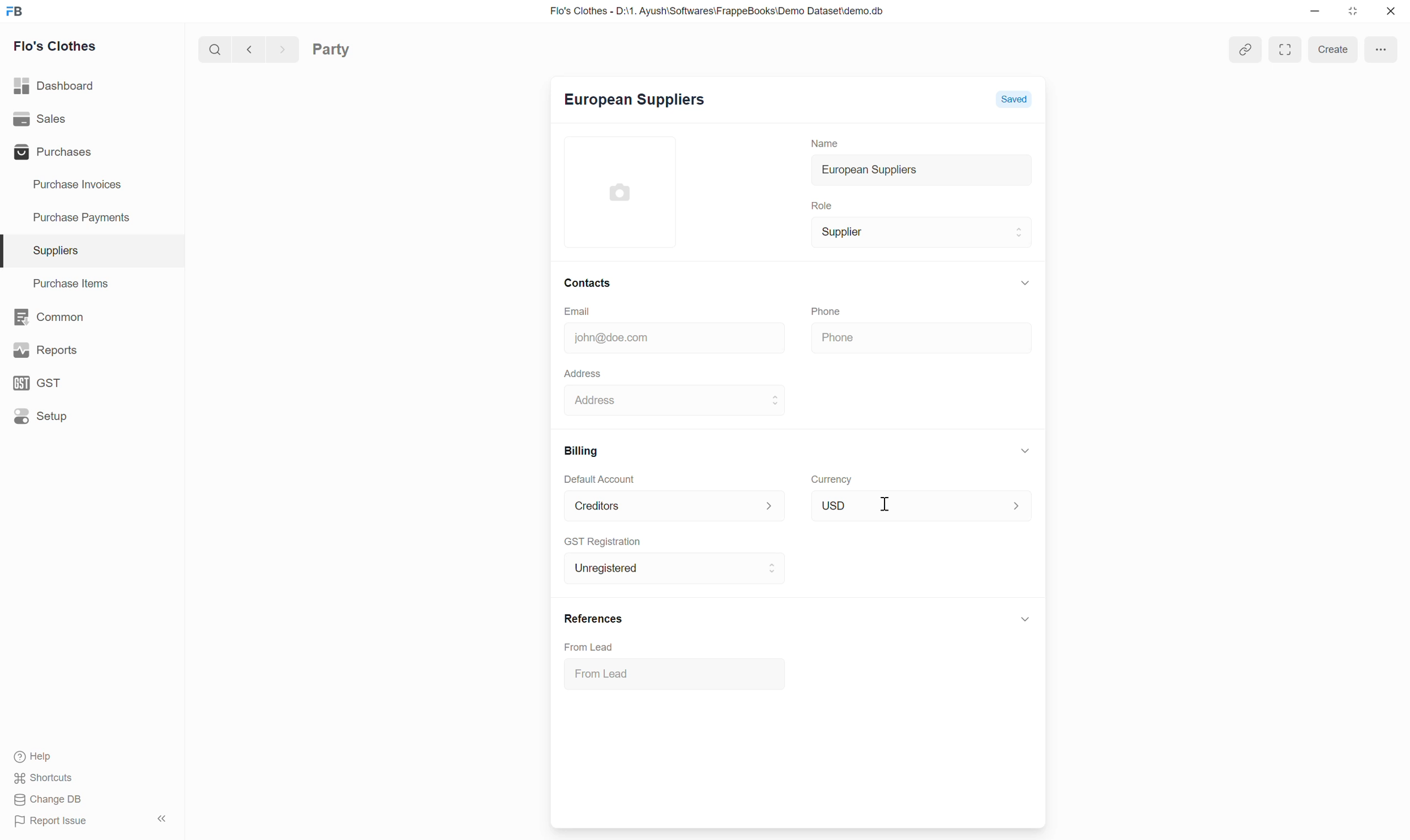 The height and width of the screenshot is (840, 1410). What do you see at coordinates (42, 779) in the screenshot?
I see `Shortcuts` at bounding box center [42, 779].